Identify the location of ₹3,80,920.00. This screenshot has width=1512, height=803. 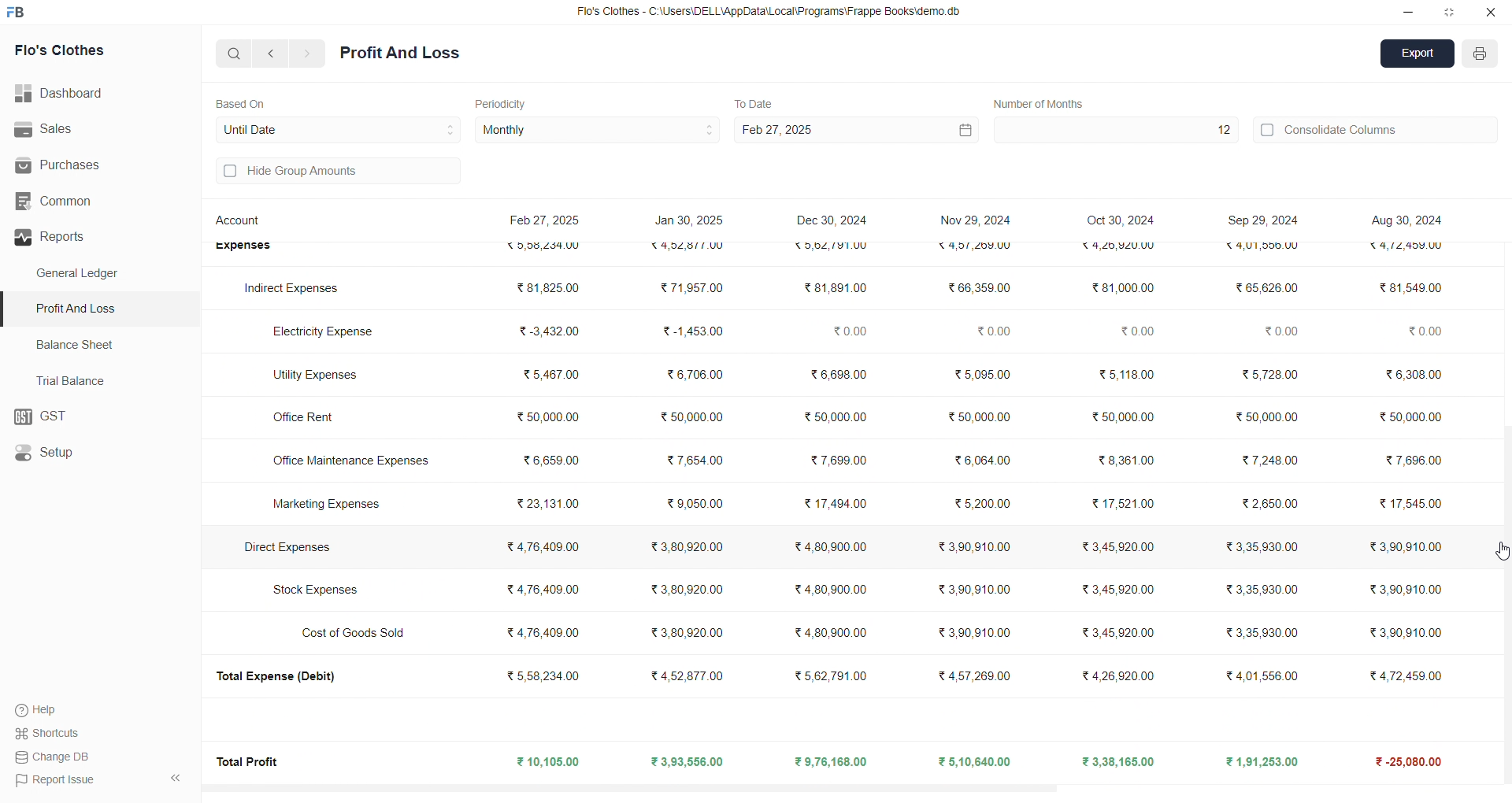
(689, 590).